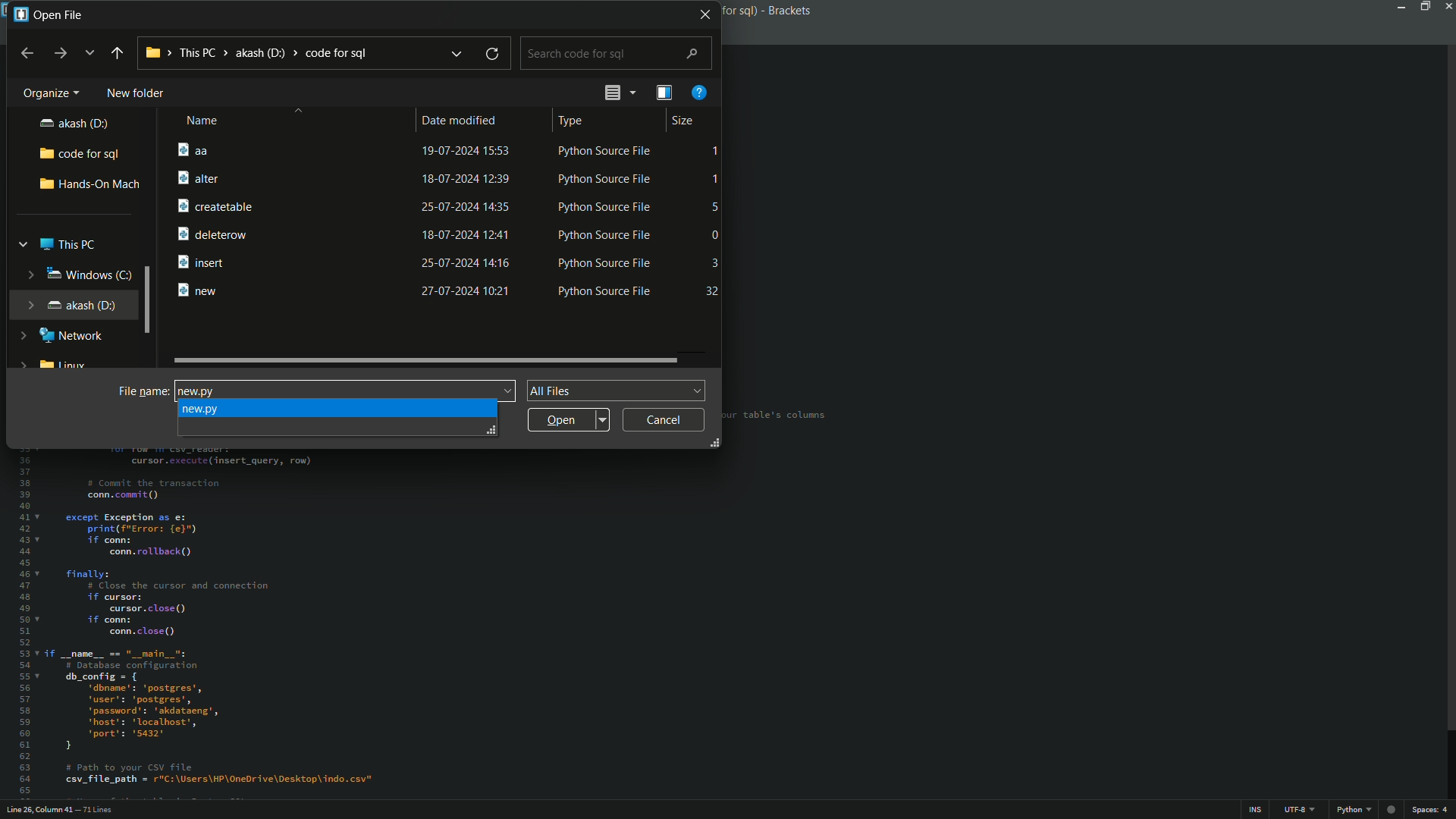 This screenshot has height=819, width=1456. I want to click on show the preview pane, so click(663, 93).